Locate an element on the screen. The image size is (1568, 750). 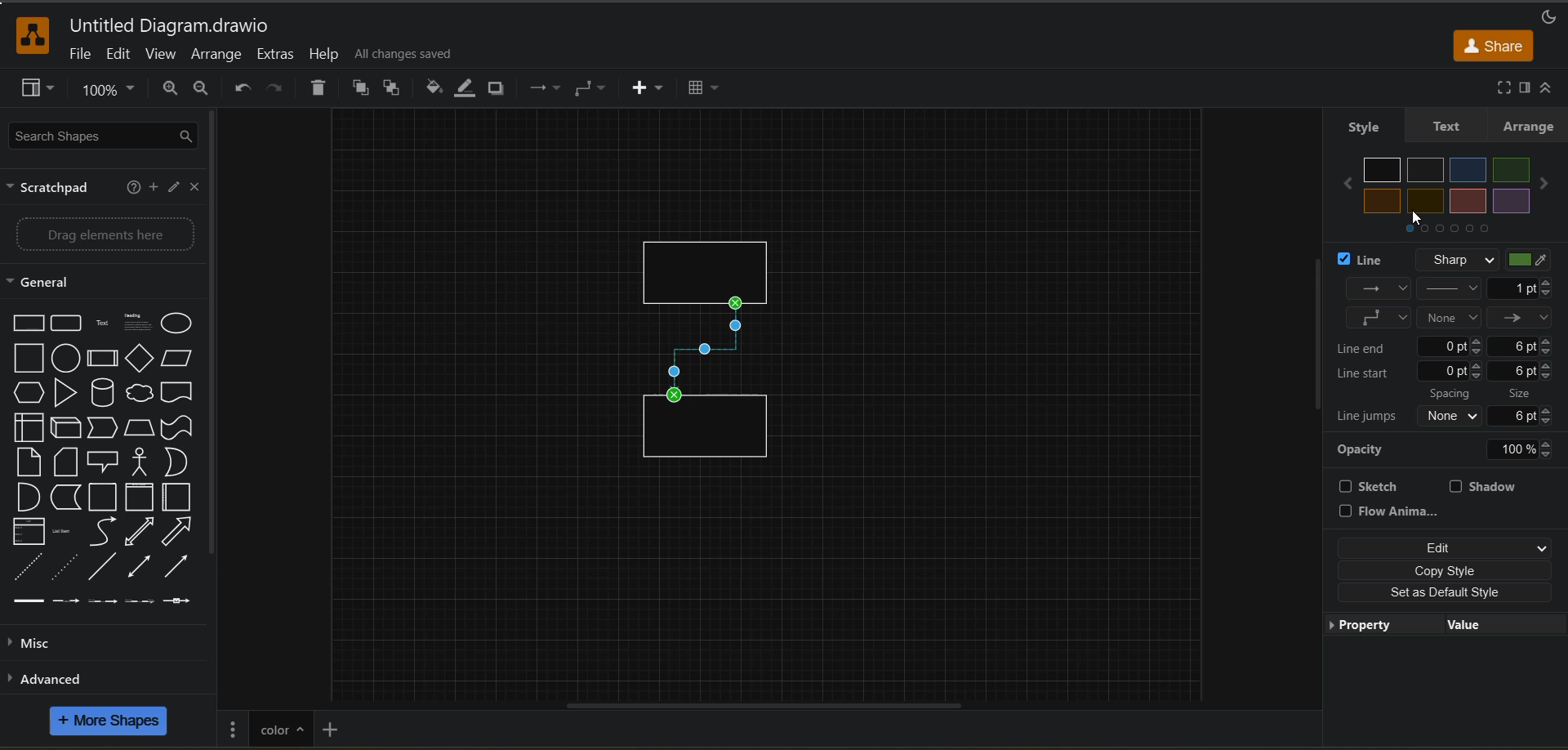
set as default style is located at coordinates (1443, 591).